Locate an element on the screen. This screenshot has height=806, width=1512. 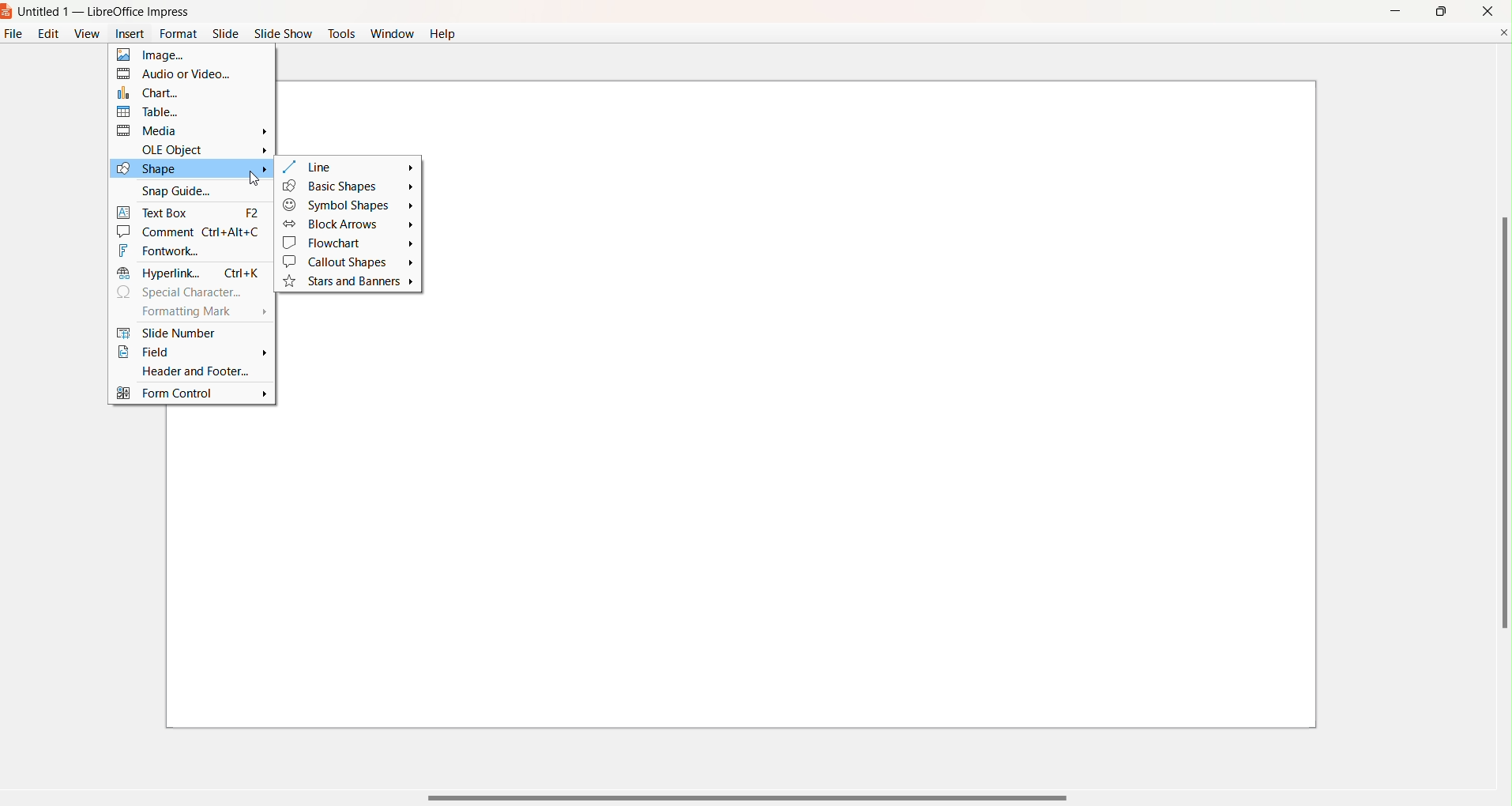
close is located at coordinates (1488, 10).